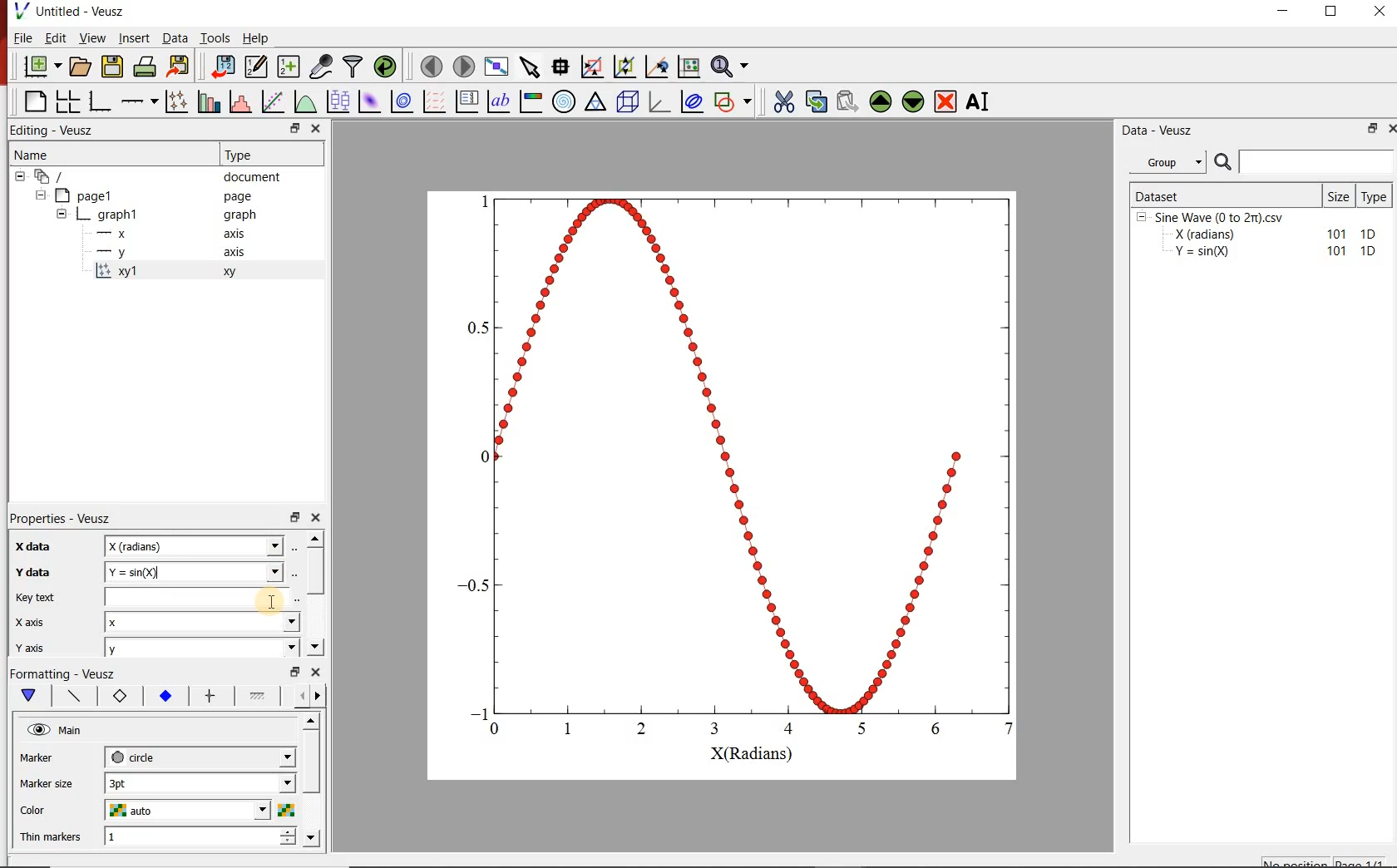  Describe the element at coordinates (1160, 131) in the screenshot. I see `Data - Veusz` at that location.